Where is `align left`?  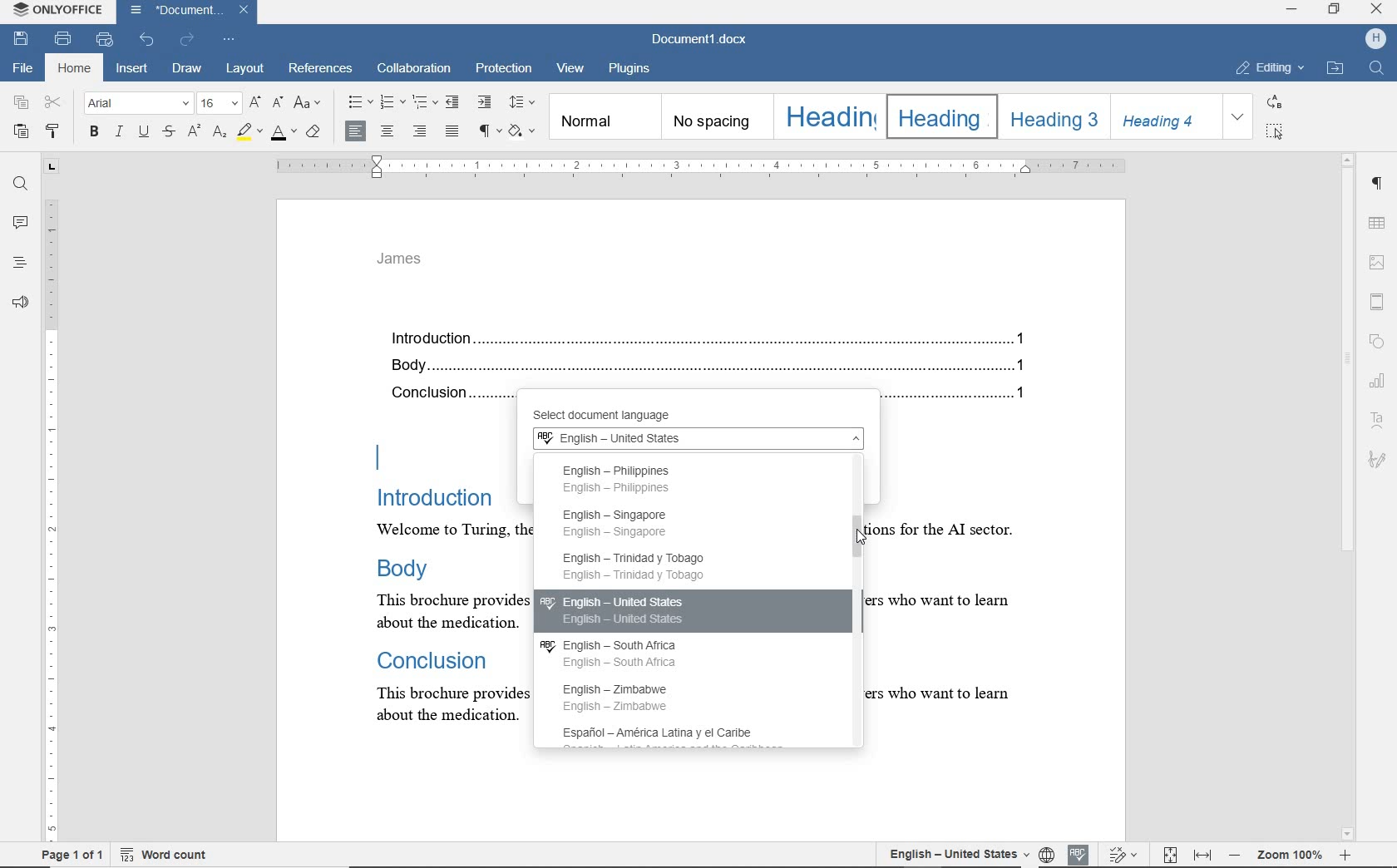
align left is located at coordinates (356, 131).